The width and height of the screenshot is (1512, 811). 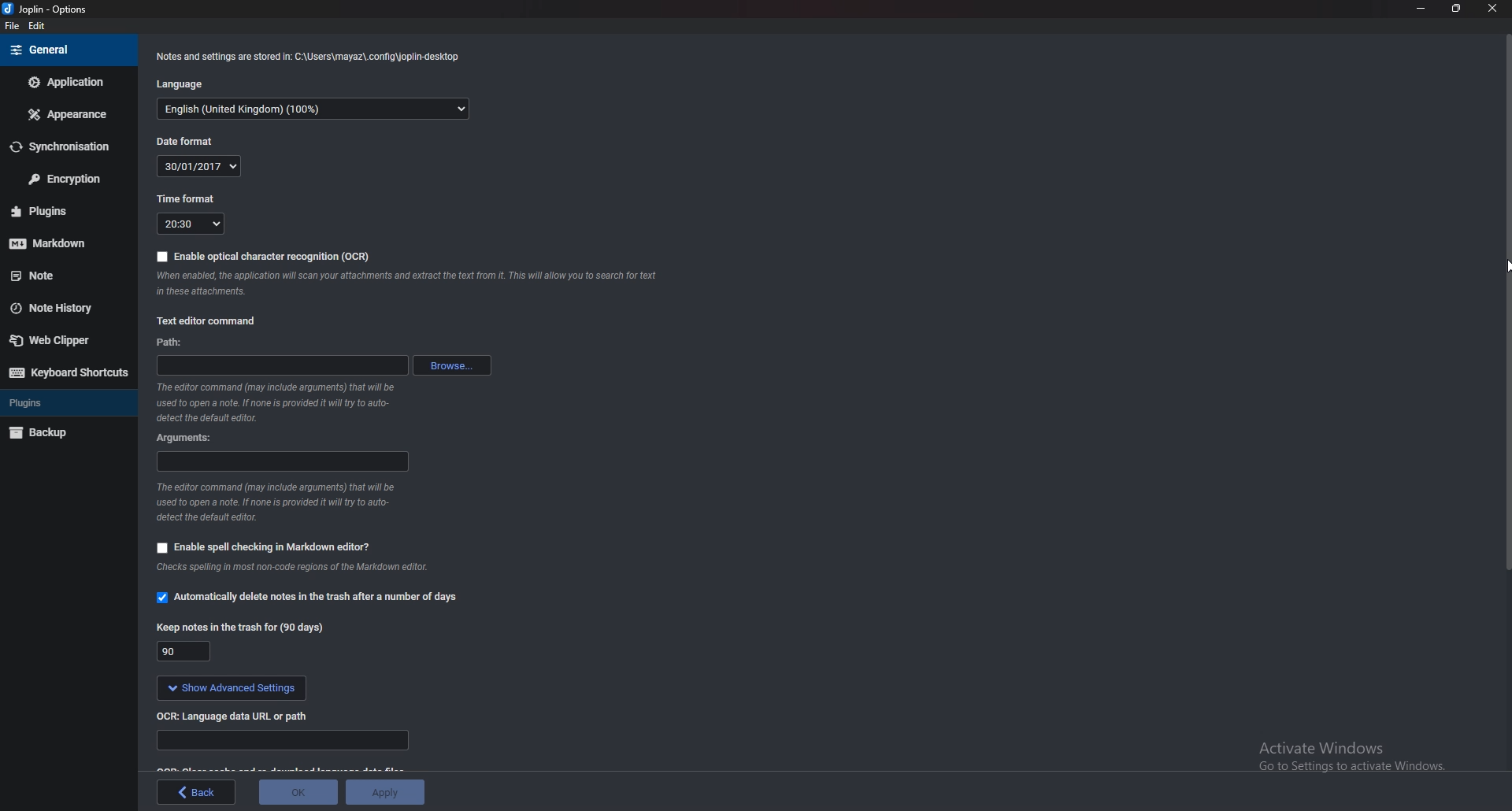 I want to click on Info on notes and settings, so click(x=309, y=57).